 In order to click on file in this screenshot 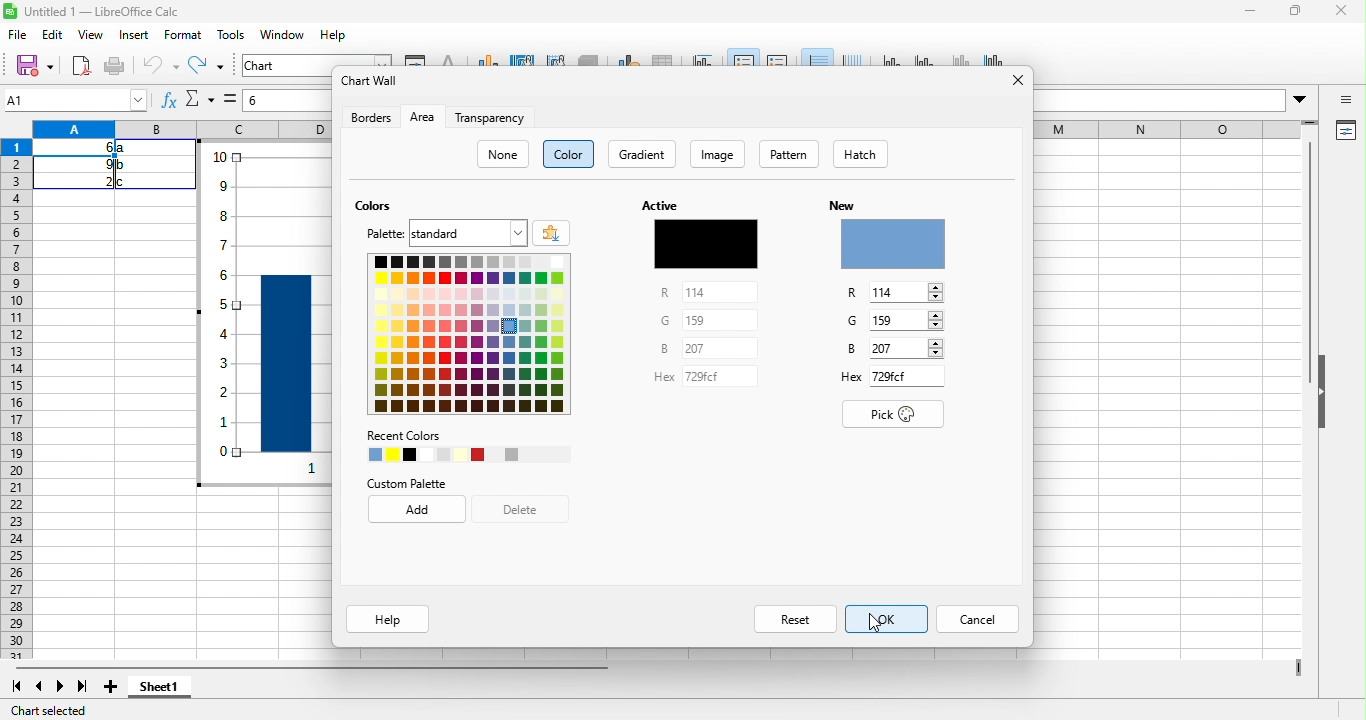, I will do `click(20, 35)`.